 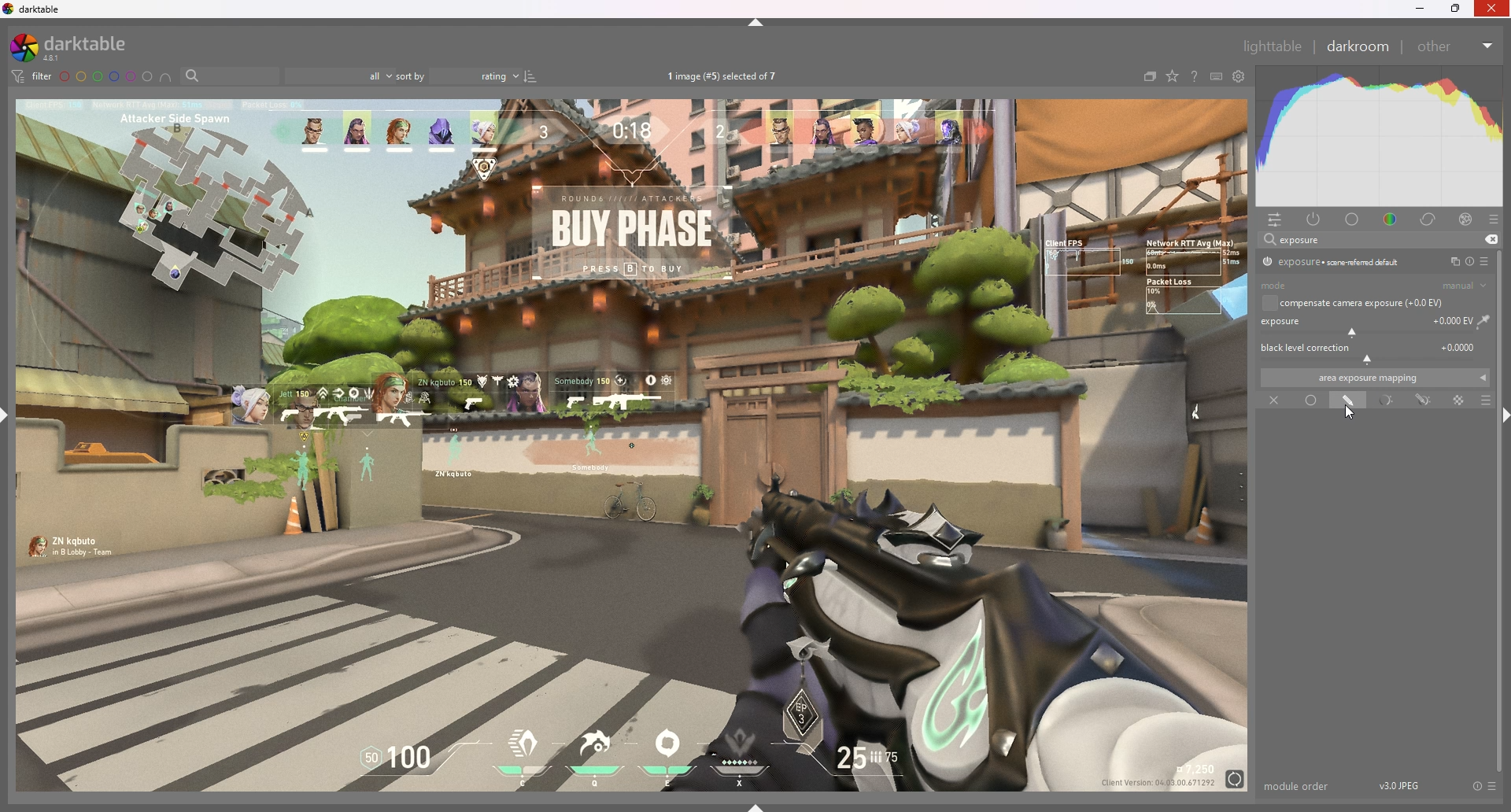 I want to click on presets, so click(x=1494, y=787).